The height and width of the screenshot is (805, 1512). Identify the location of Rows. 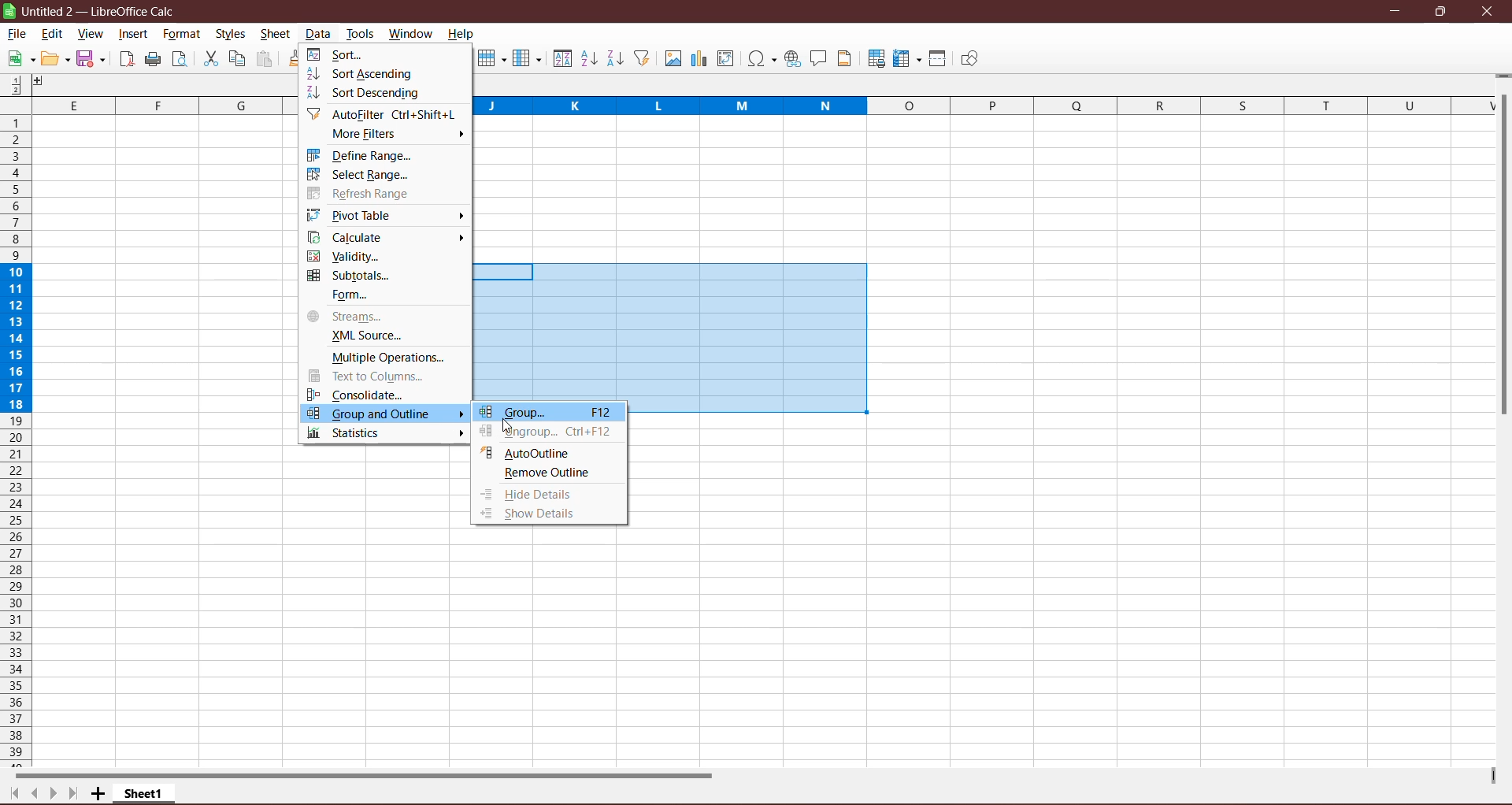
(490, 60).